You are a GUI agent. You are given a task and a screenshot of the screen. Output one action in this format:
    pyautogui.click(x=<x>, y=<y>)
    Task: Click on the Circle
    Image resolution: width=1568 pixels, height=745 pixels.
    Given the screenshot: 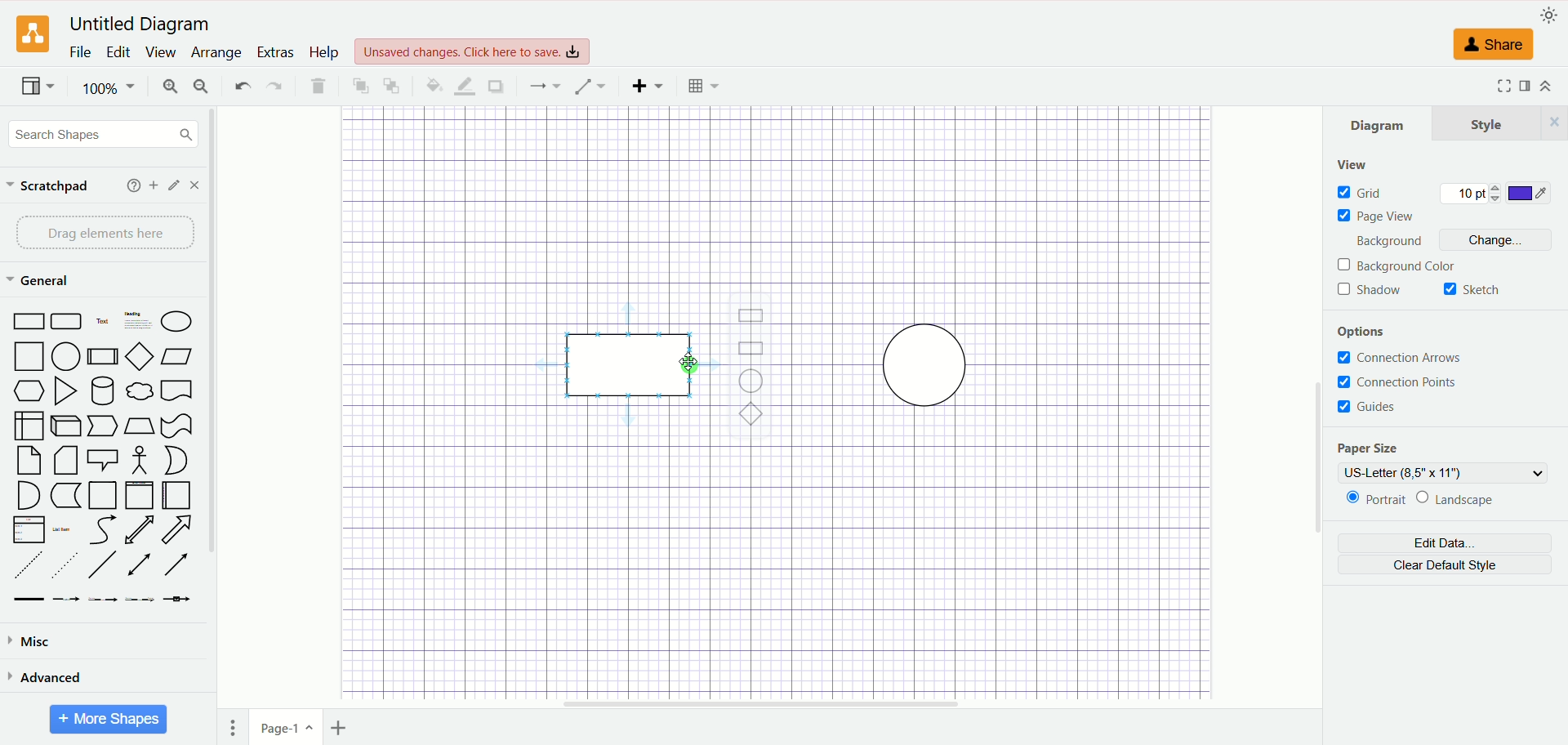 What is the action you would take?
    pyautogui.click(x=69, y=356)
    